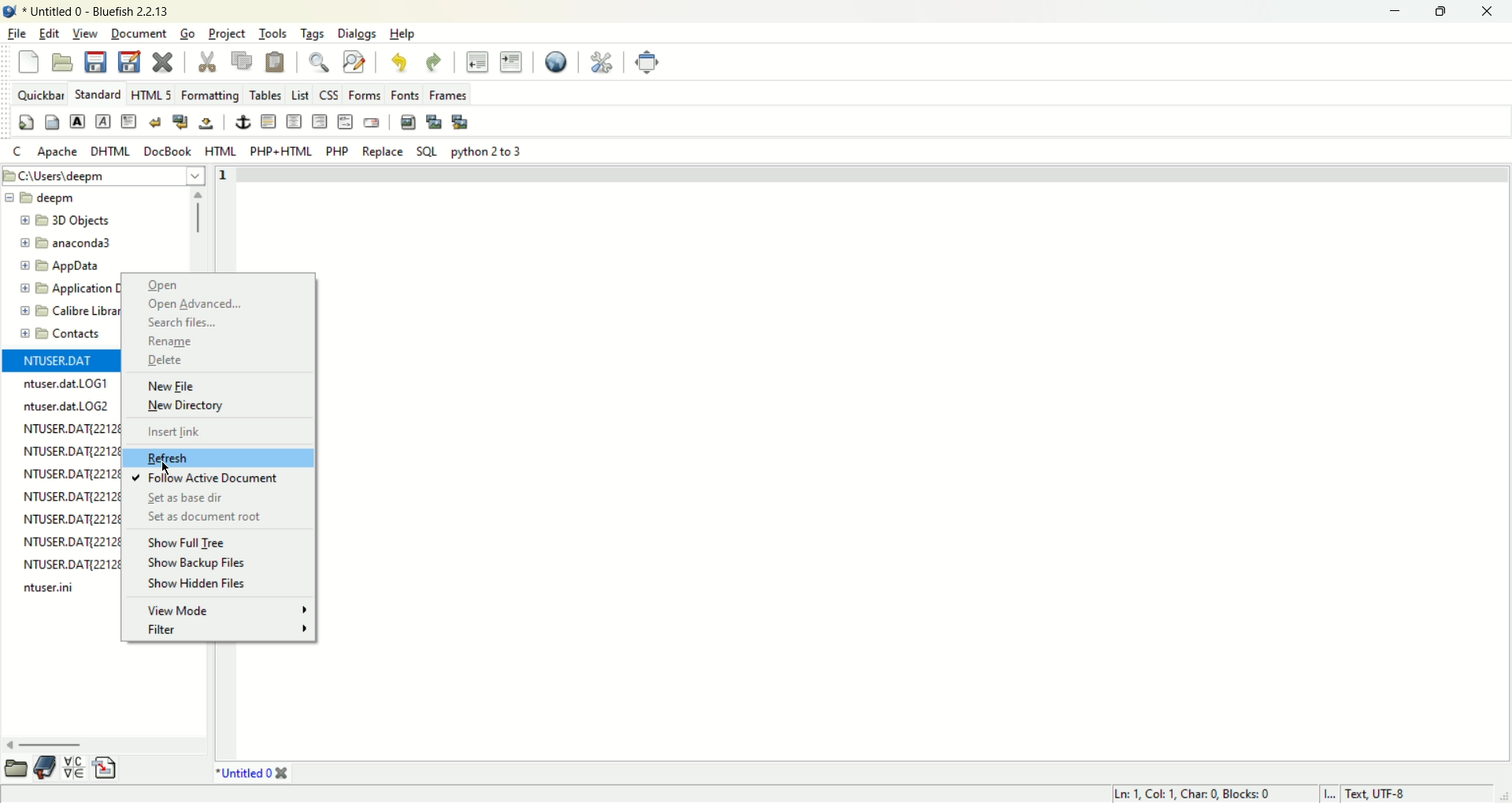 This screenshot has width=1512, height=803. Describe the element at coordinates (166, 61) in the screenshot. I see `close` at that location.